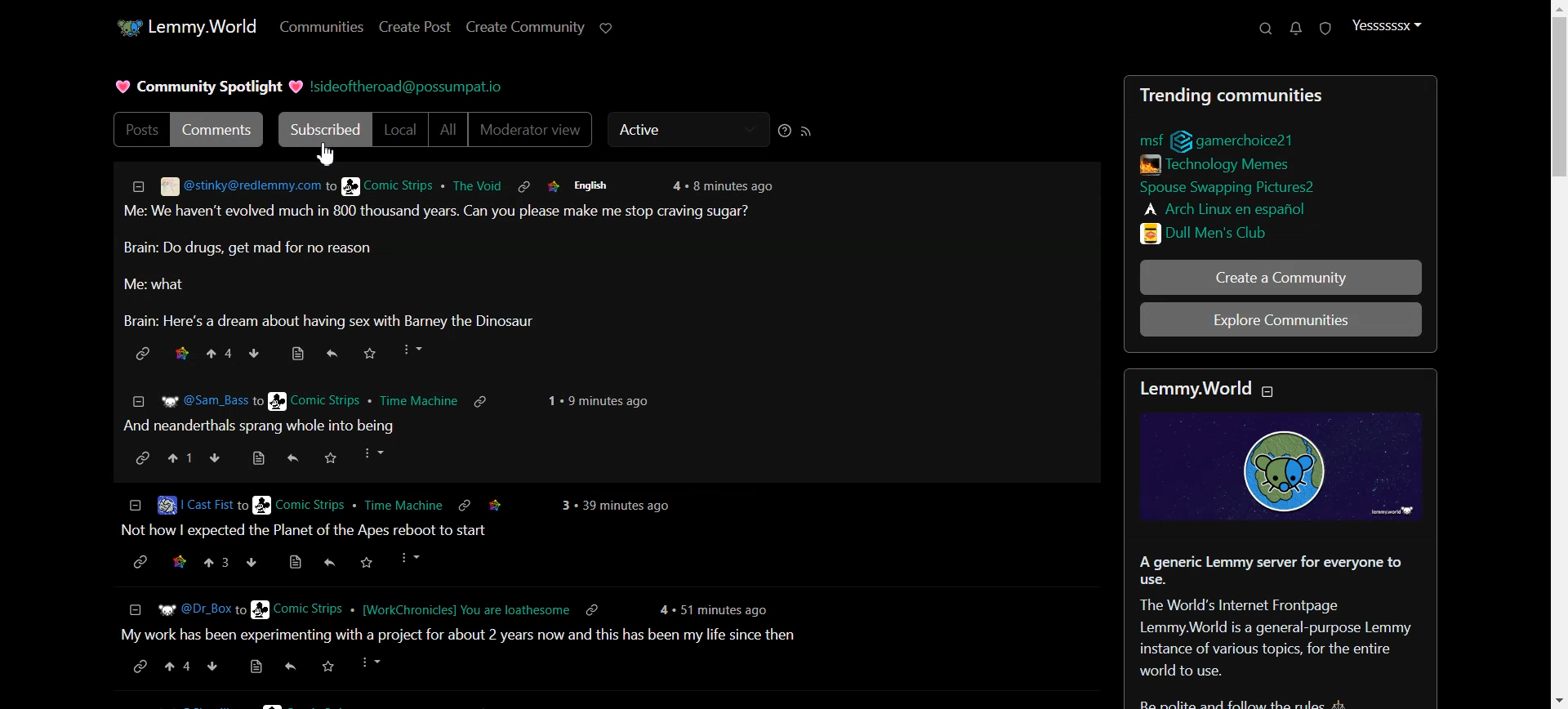 This screenshot has height=709, width=1568. What do you see at coordinates (1220, 163) in the screenshot?
I see `LInks` at bounding box center [1220, 163].